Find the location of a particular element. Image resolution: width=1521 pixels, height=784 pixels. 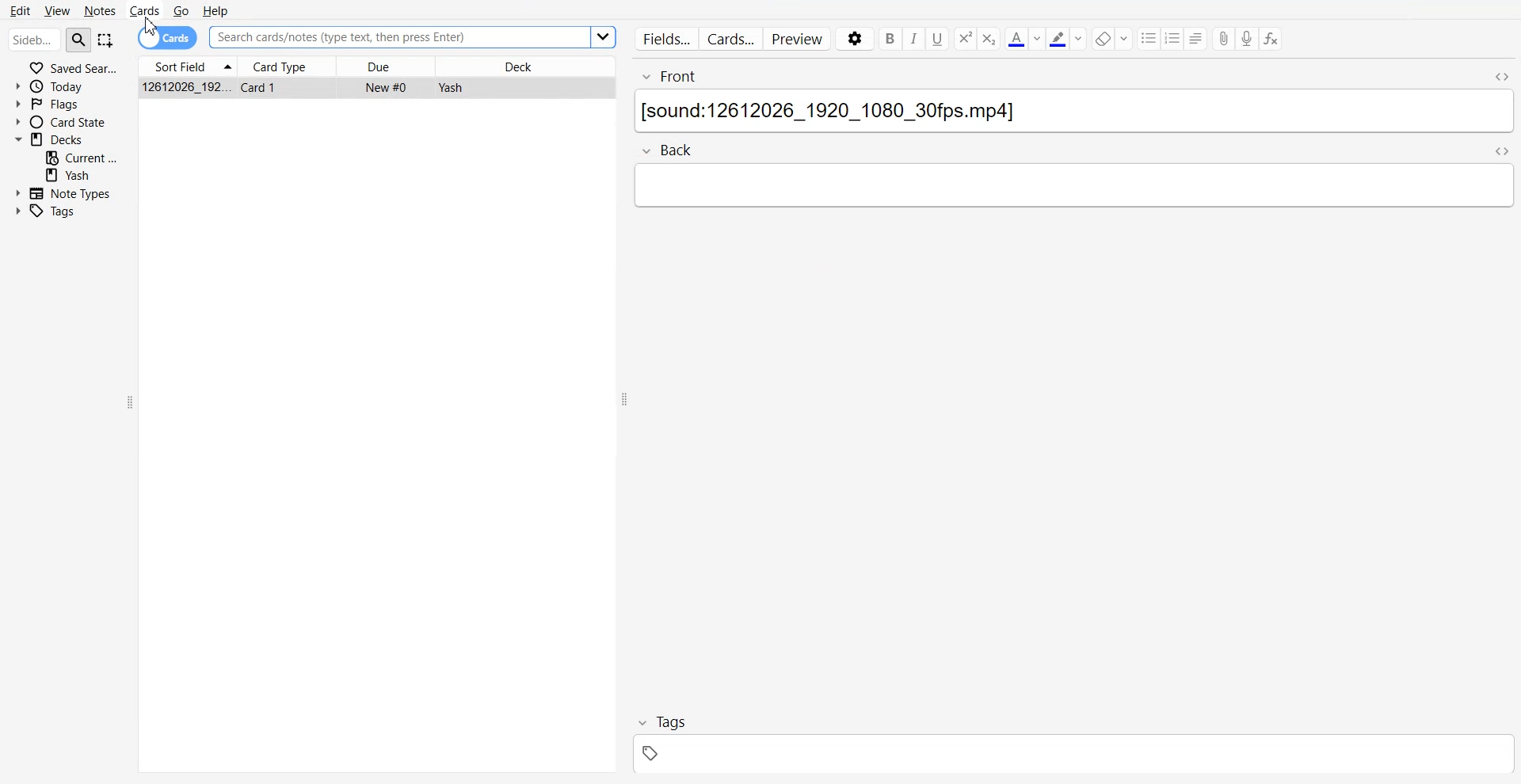

Saved Search is located at coordinates (67, 67).